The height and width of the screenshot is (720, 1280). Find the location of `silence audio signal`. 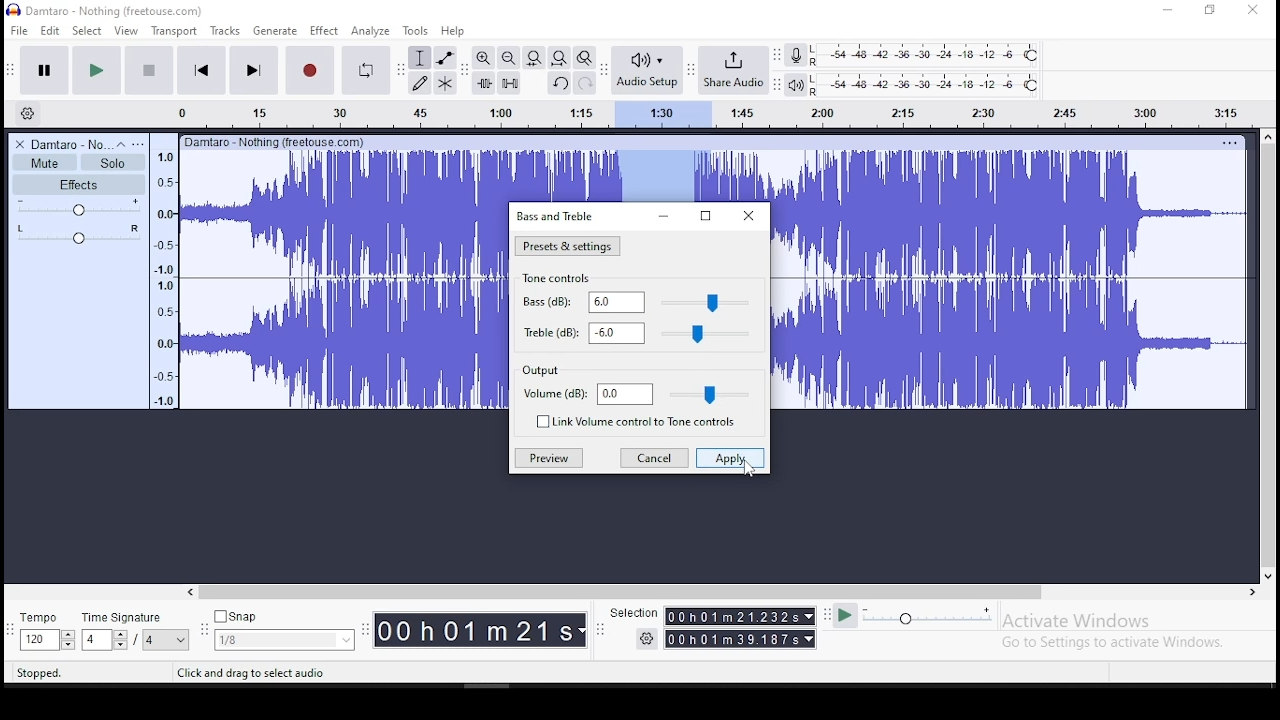

silence audio signal is located at coordinates (510, 83).